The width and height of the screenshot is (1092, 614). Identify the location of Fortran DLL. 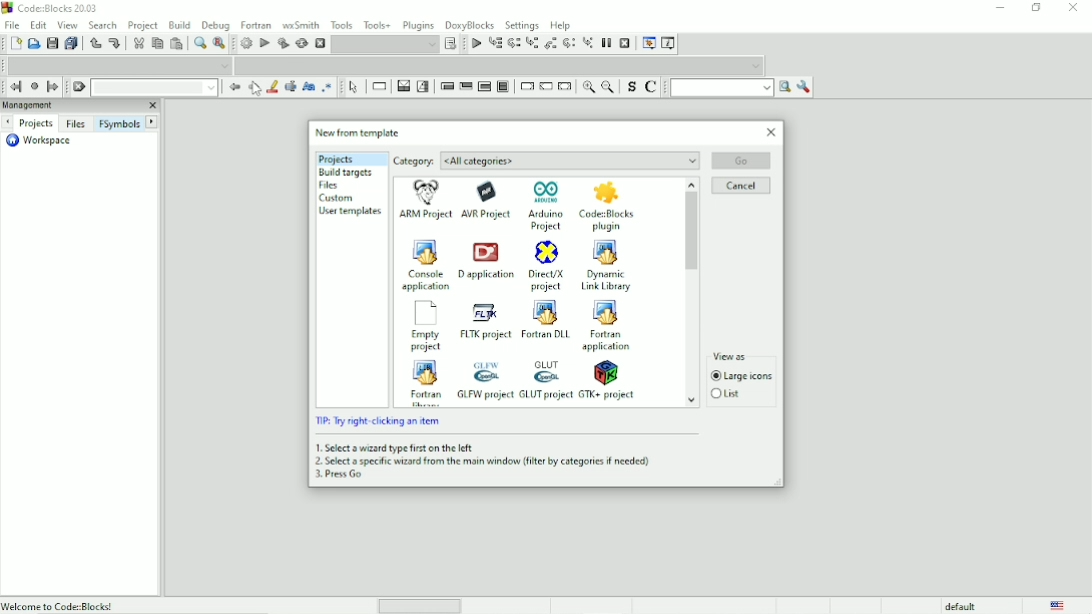
(546, 320).